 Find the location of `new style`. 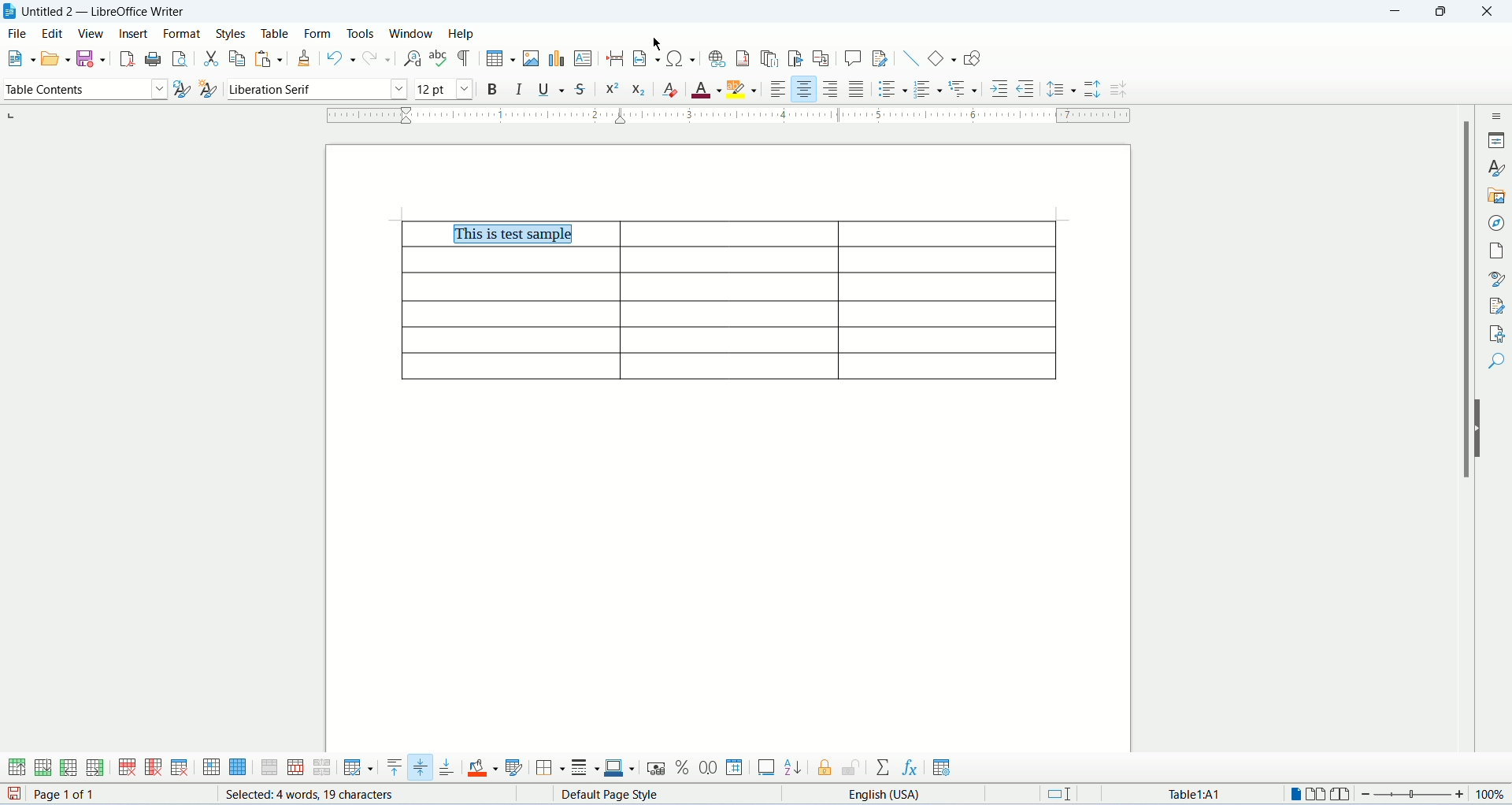

new style is located at coordinates (209, 89).